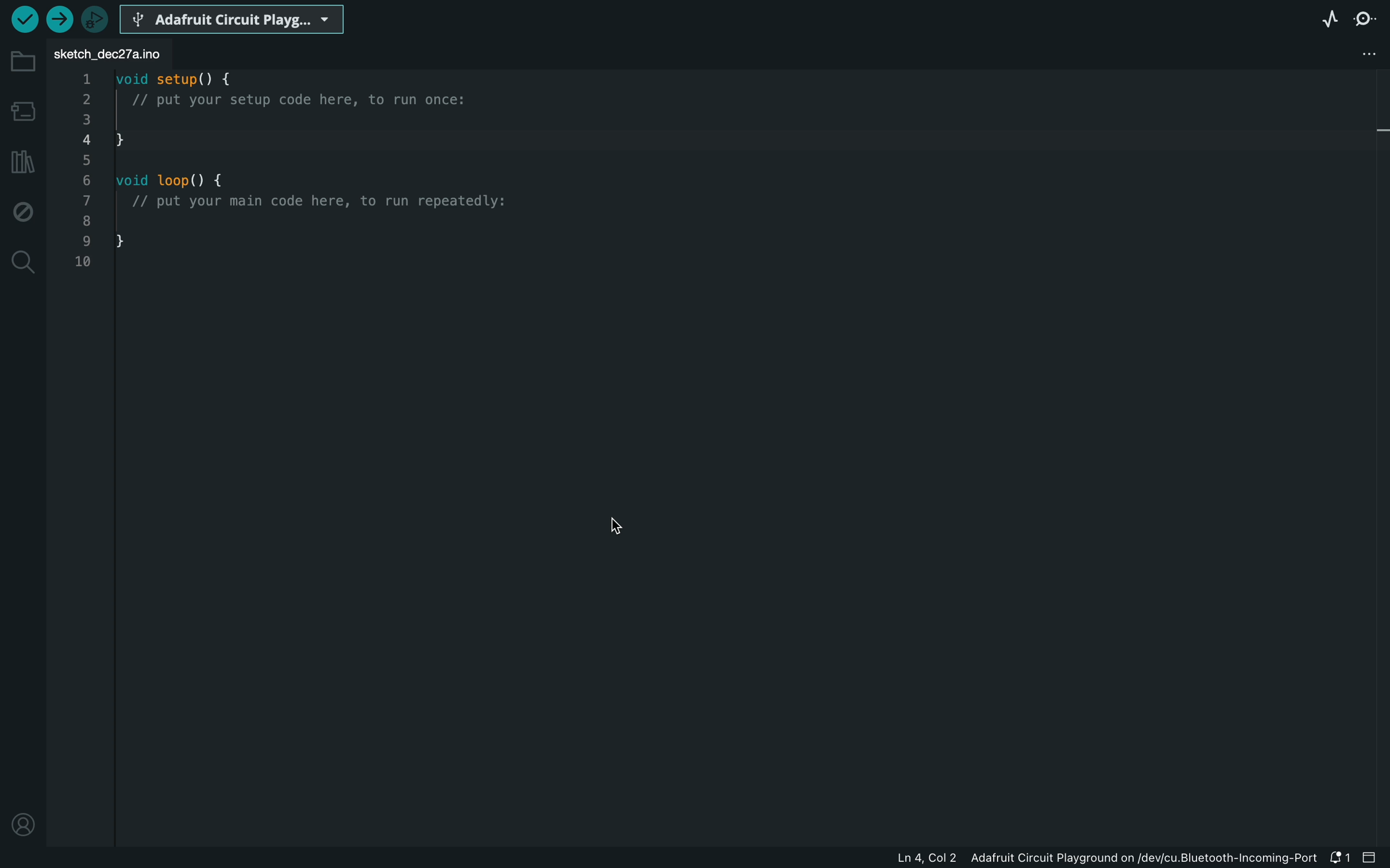 The height and width of the screenshot is (868, 1390). What do you see at coordinates (61, 19) in the screenshot?
I see `upload` at bounding box center [61, 19].